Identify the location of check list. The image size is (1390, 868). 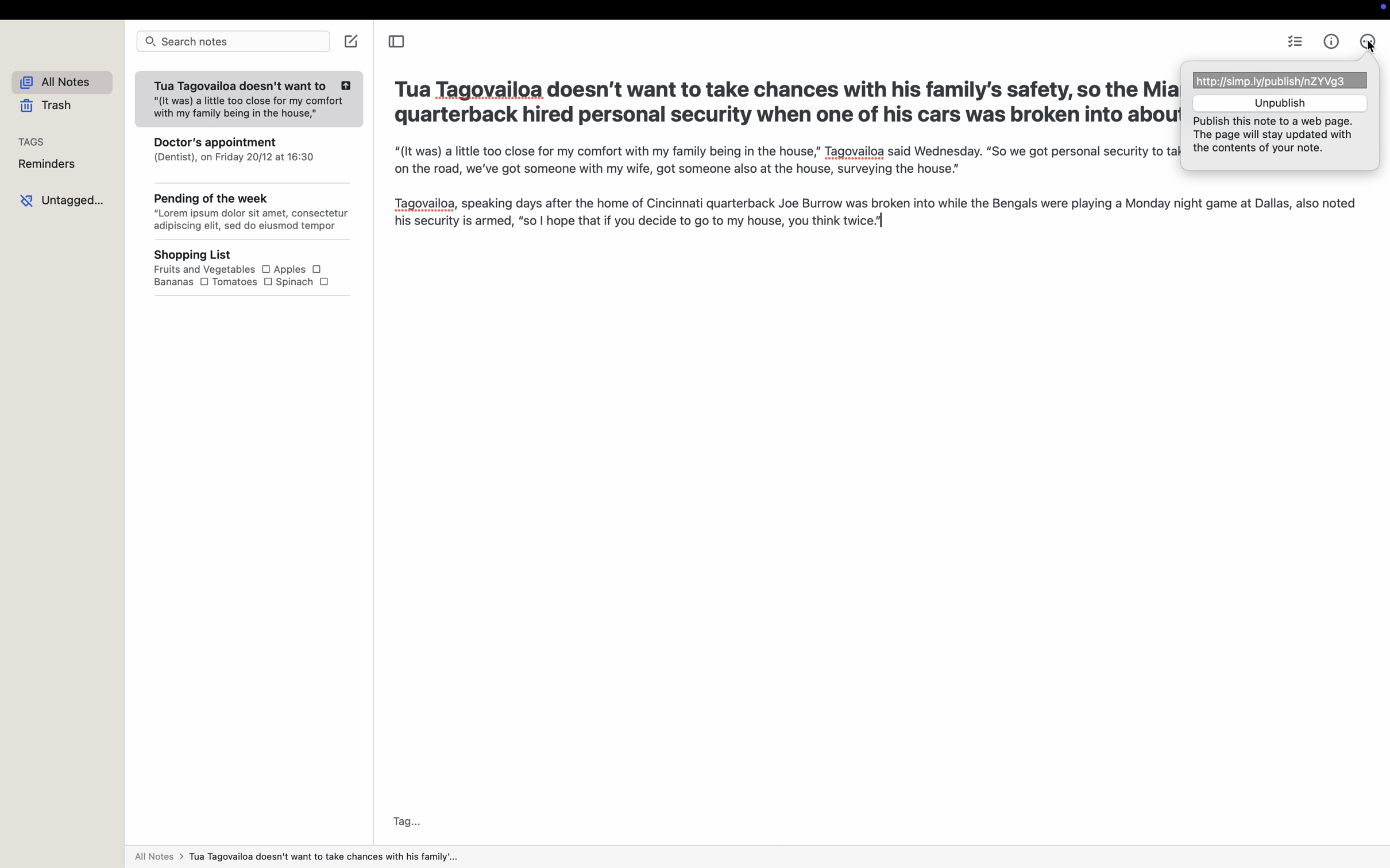
(1297, 43).